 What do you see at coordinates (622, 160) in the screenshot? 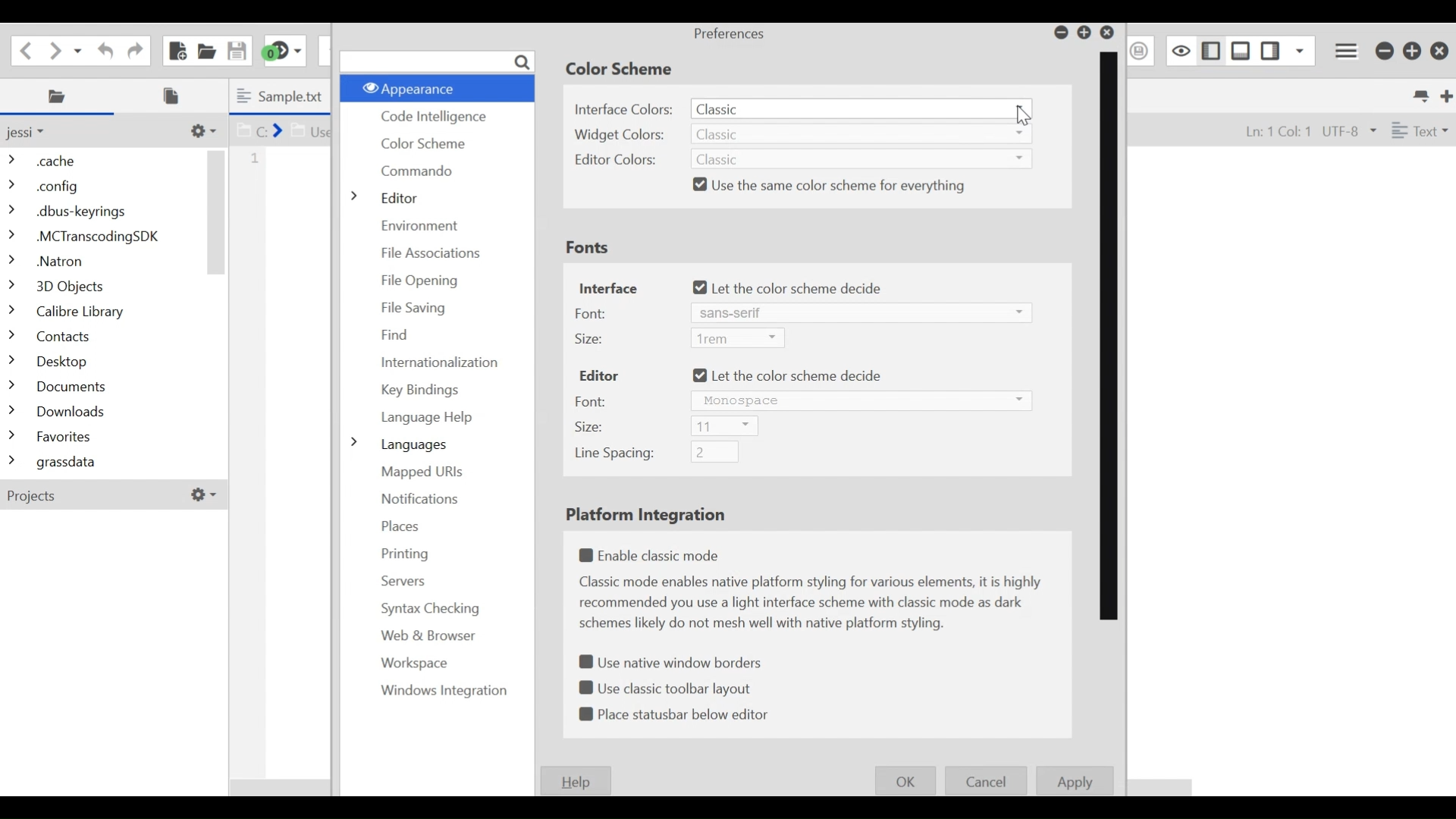
I see `Editor Colors` at bounding box center [622, 160].